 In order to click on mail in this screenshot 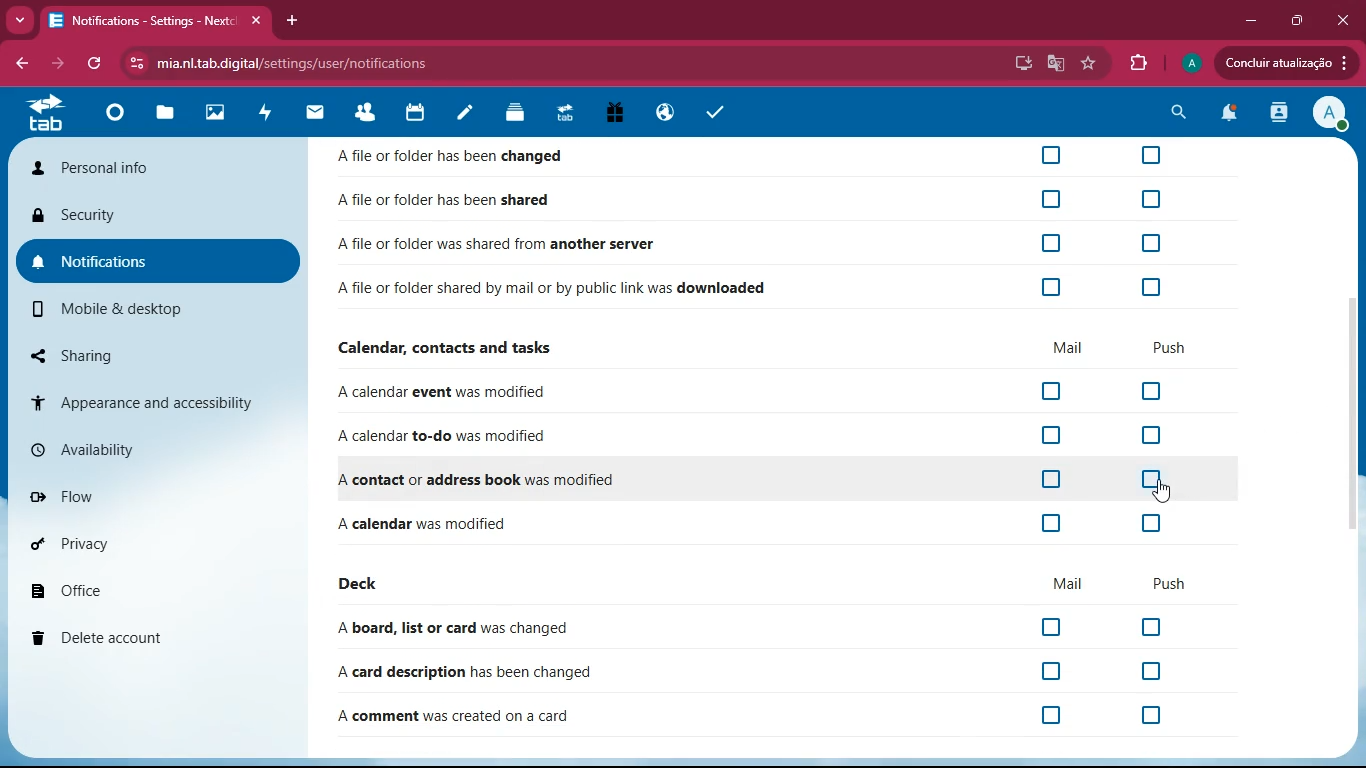, I will do `click(1071, 580)`.